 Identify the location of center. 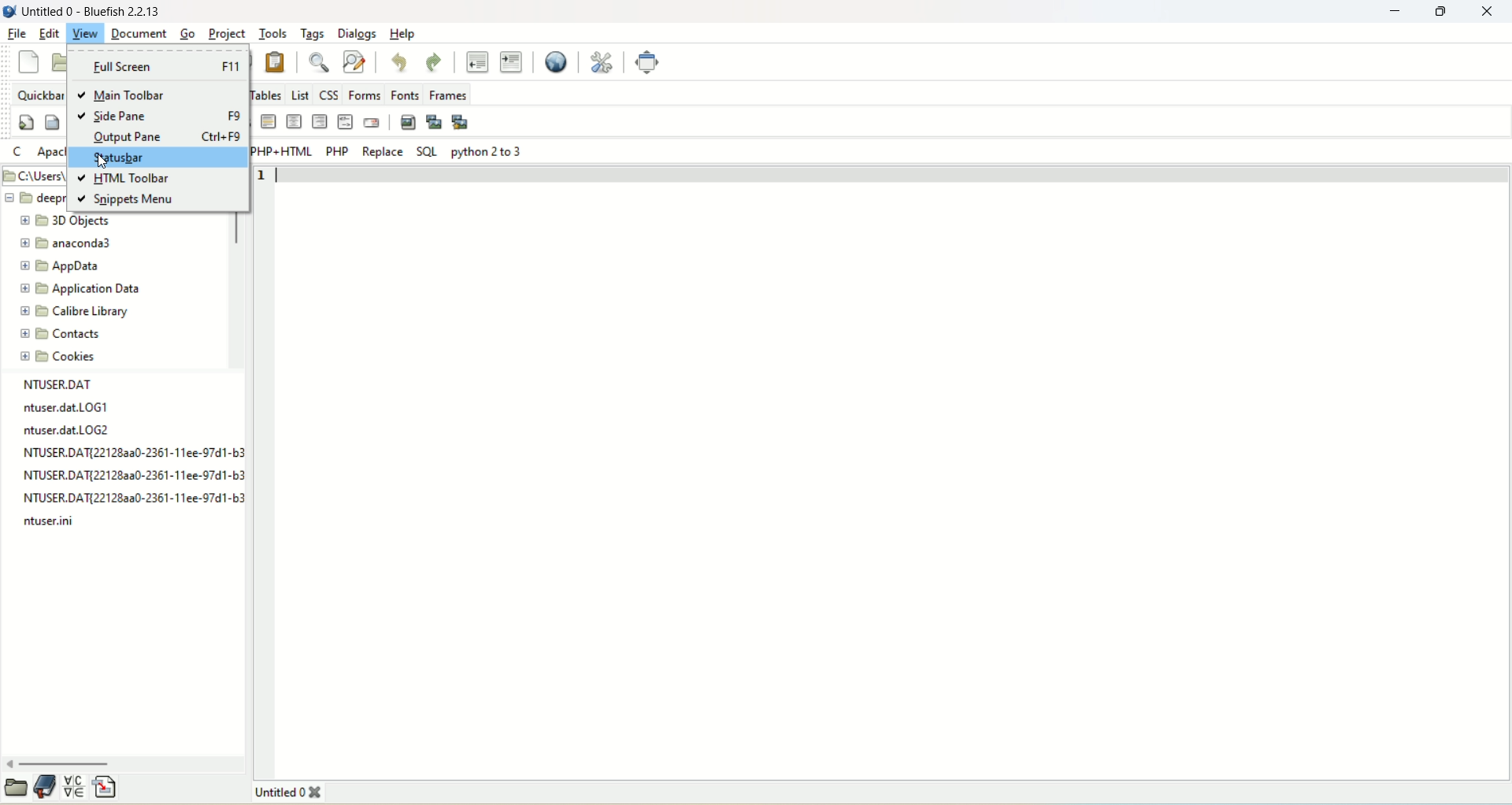
(294, 121).